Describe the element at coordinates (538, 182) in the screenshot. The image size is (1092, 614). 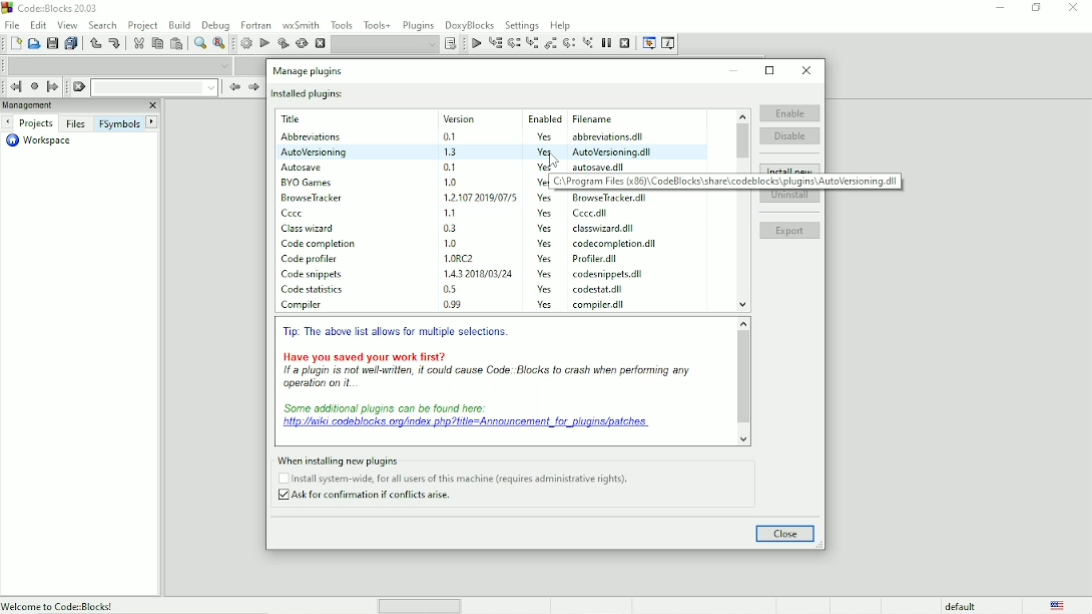
I see `Yes` at that location.